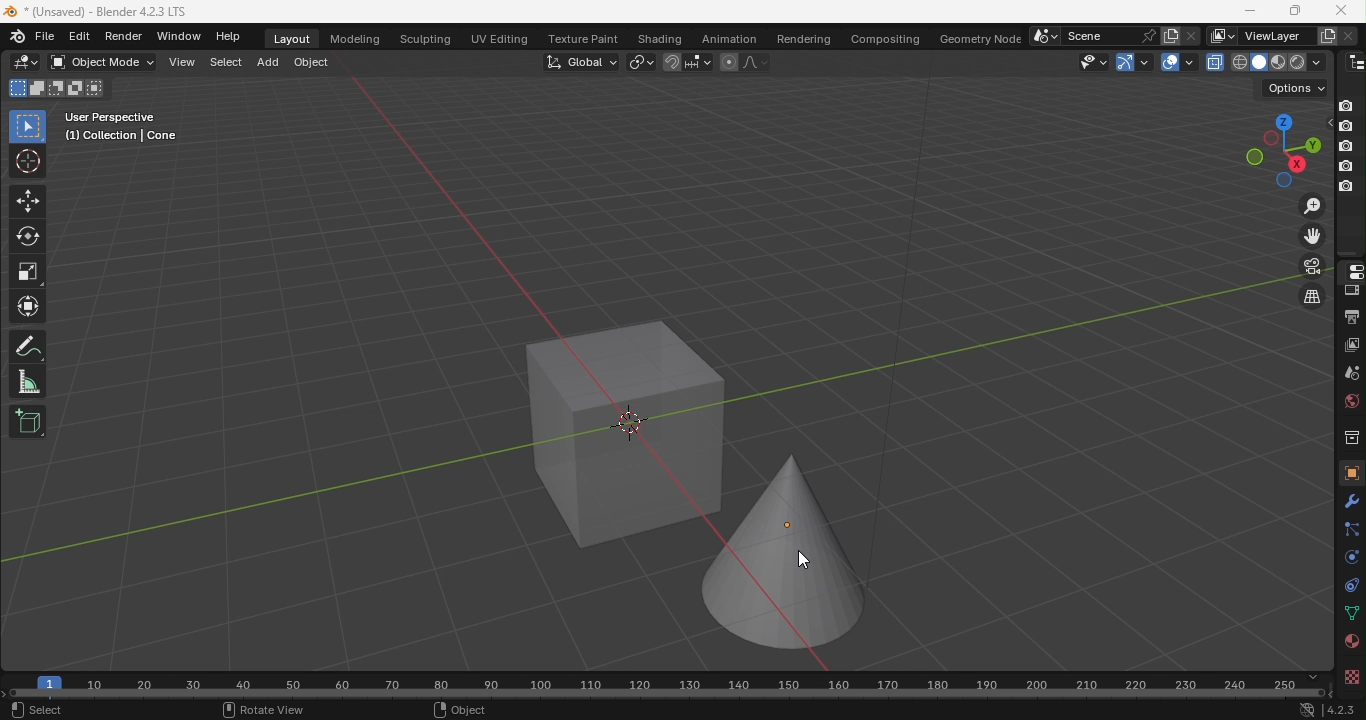  Describe the element at coordinates (1348, 584) in the screenshot. I see `Constraints` at that location.